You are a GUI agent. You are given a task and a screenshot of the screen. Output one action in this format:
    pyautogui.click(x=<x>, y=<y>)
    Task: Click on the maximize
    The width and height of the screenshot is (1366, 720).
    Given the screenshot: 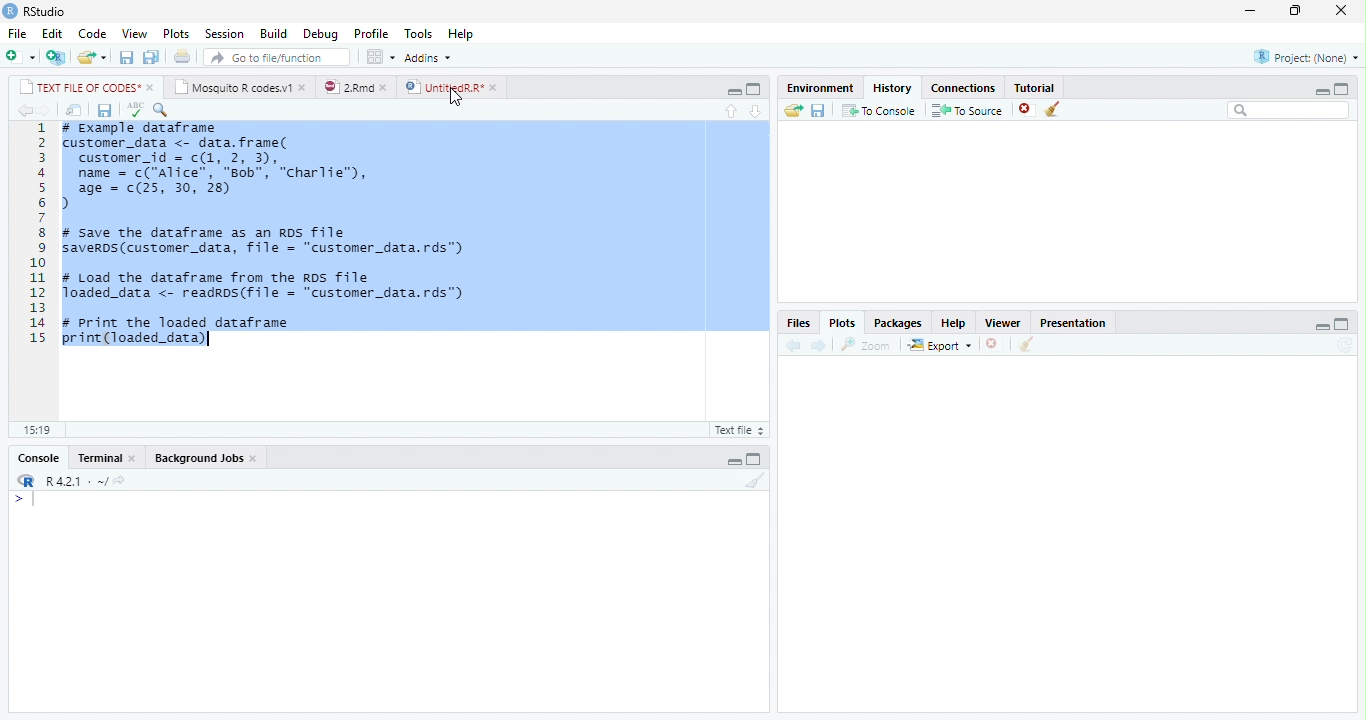 What is the action you would take?
    pyautogui.click(x=754, y=459)
    